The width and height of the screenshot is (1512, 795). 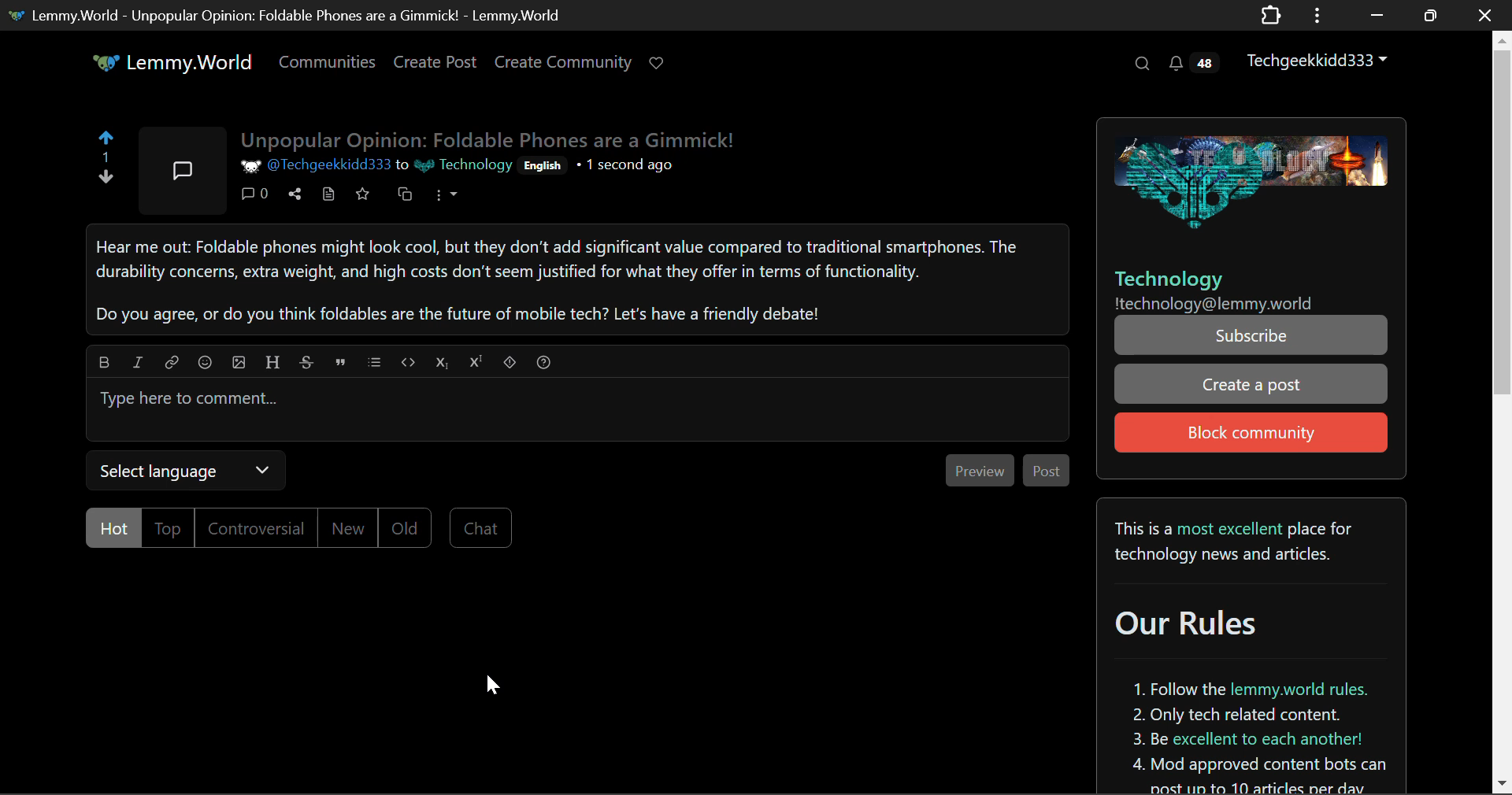 What do you see at coordinates (434, 65) in the screenshot?
I see `Create Post` at bounding box center [434, 65].